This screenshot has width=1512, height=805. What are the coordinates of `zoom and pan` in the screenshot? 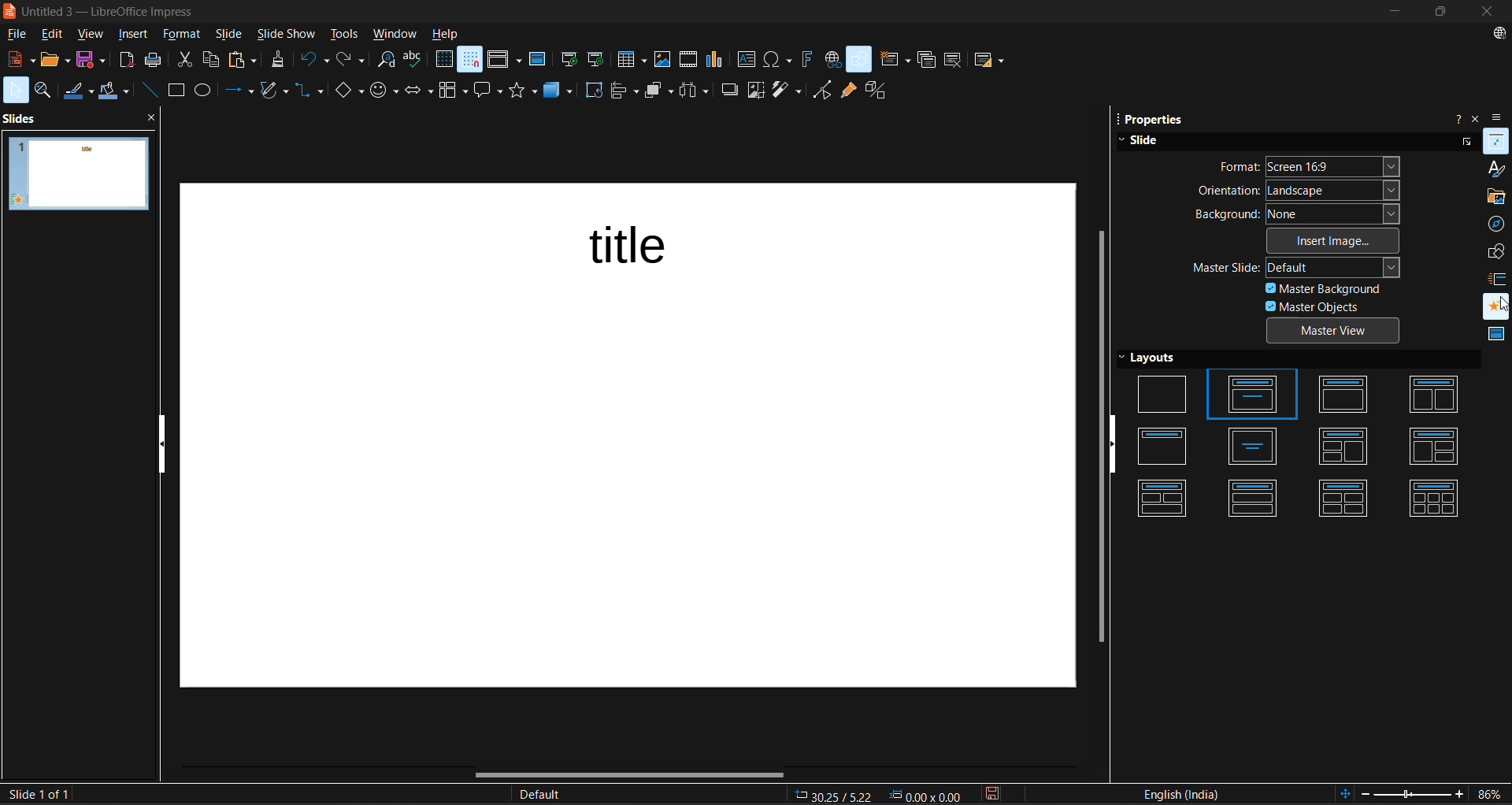 It's located at (46, 91).